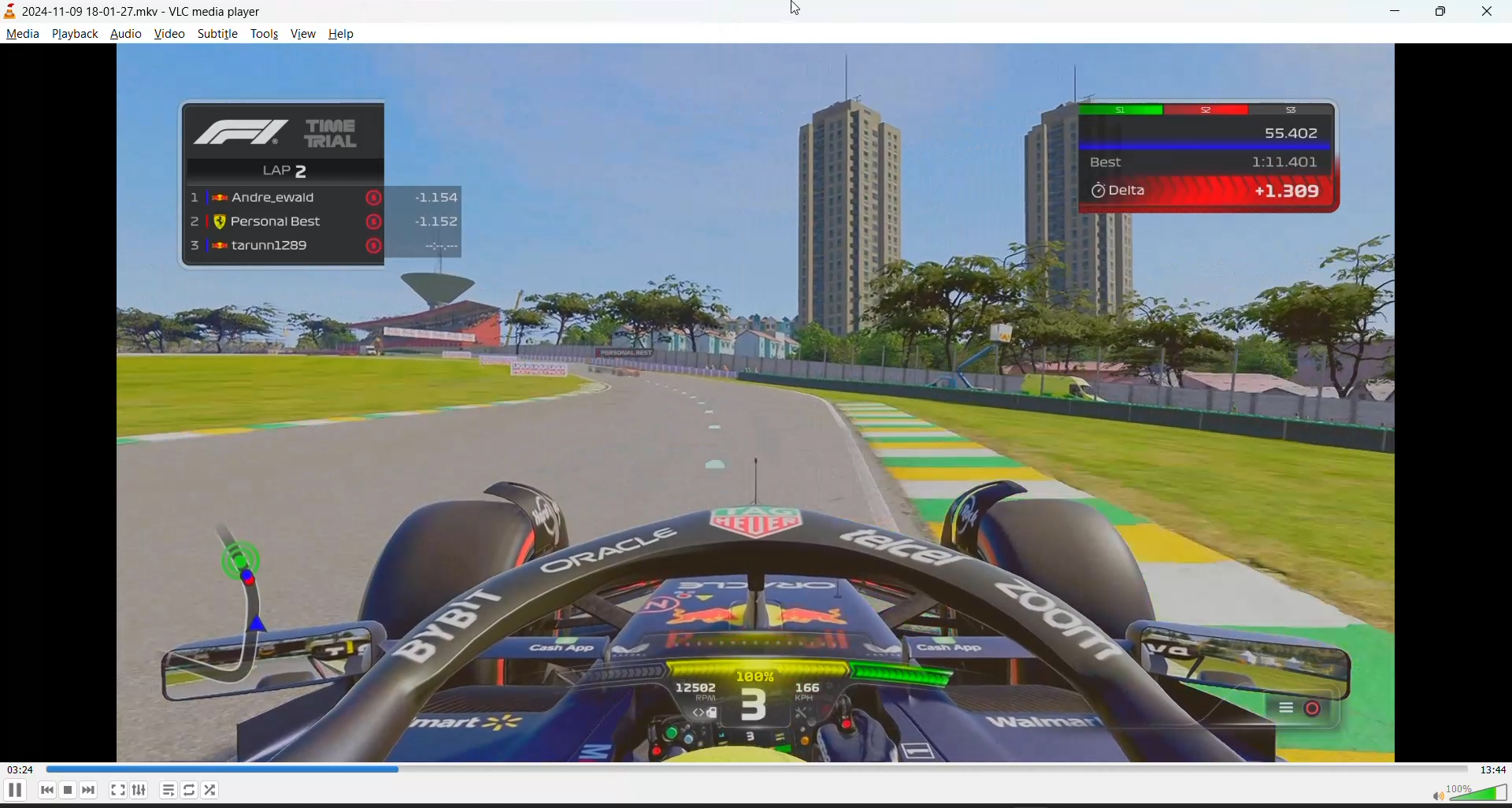  Describe the element at coordinates (73, 33) in the screenshot. I see `playback` at that location.